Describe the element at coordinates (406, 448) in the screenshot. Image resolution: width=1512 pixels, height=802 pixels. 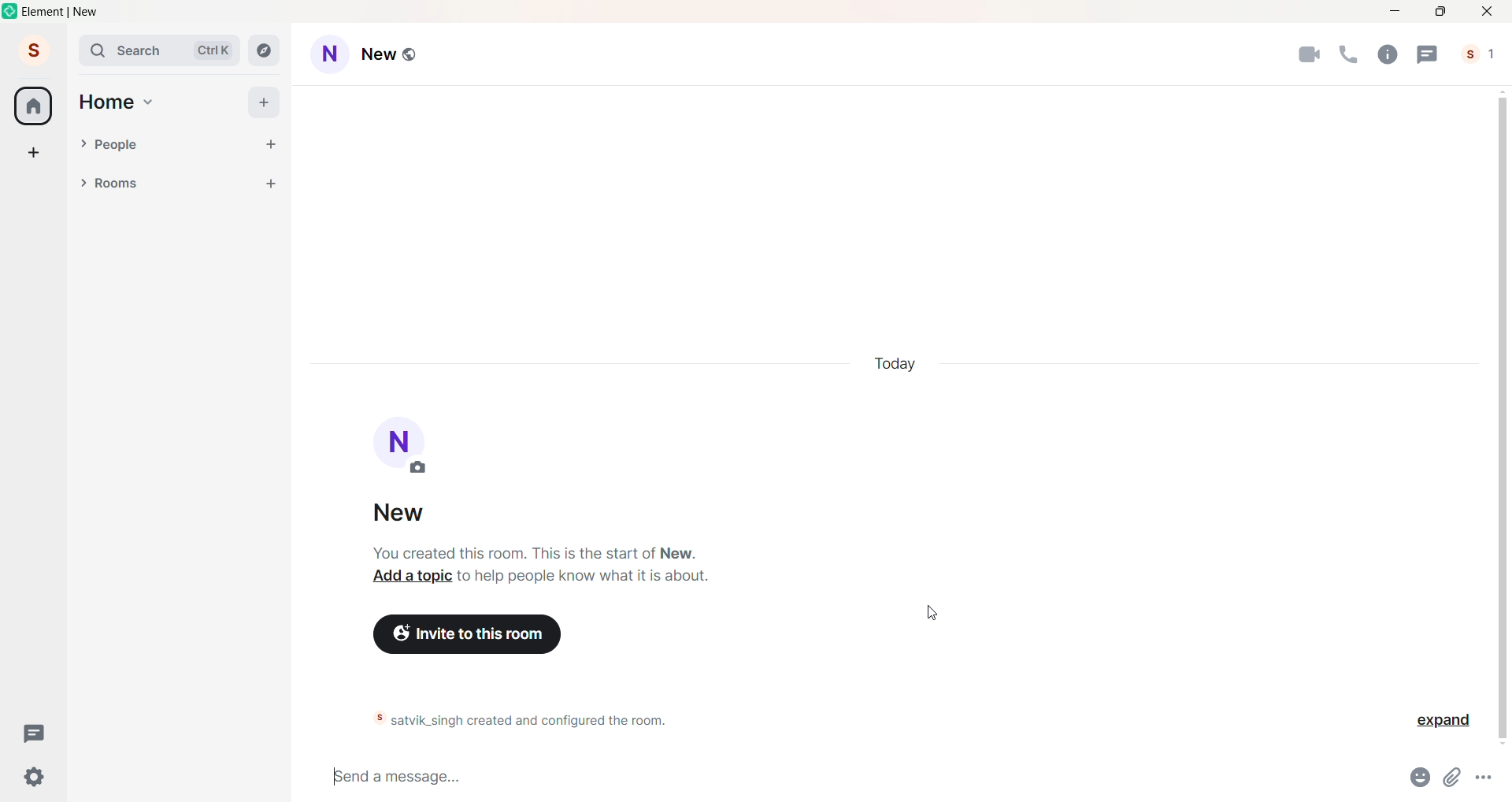
I see `Room Logo` at that location.